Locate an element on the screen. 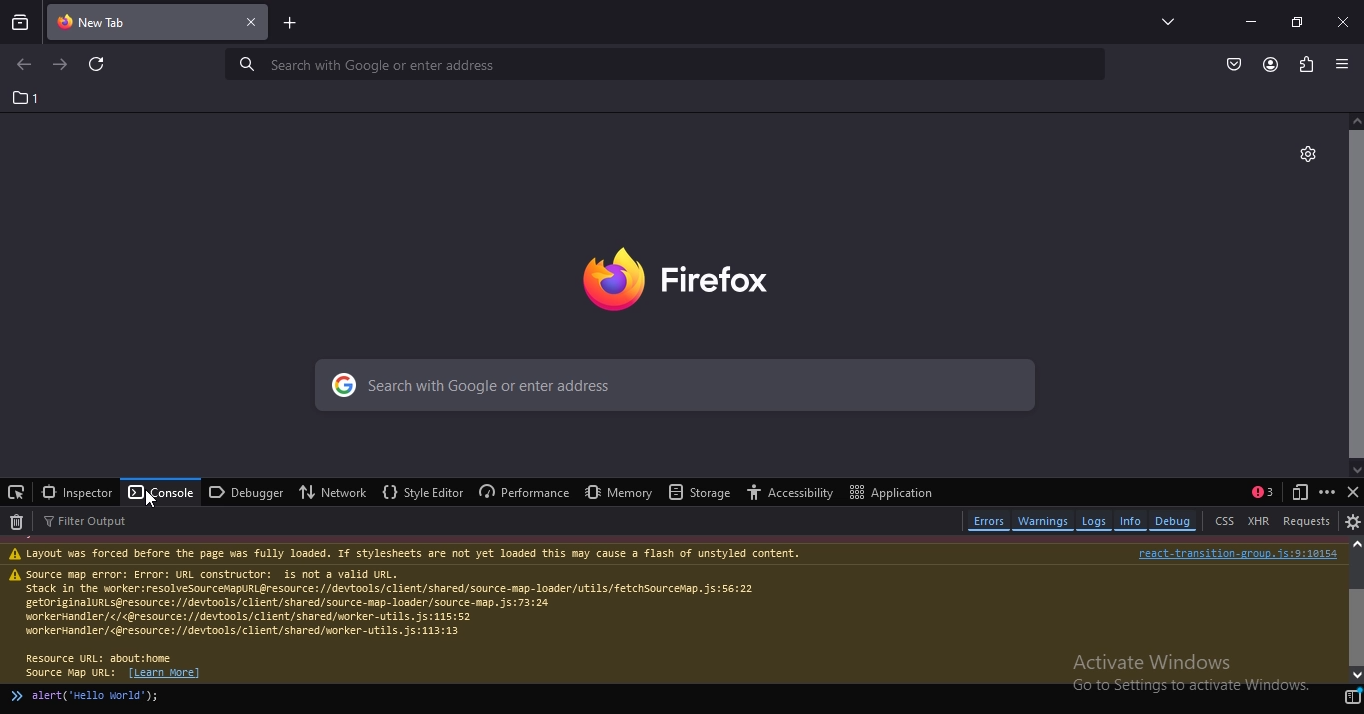 This screenshot has height=714, width=1364. 1 is located at coordinates (24, 97).